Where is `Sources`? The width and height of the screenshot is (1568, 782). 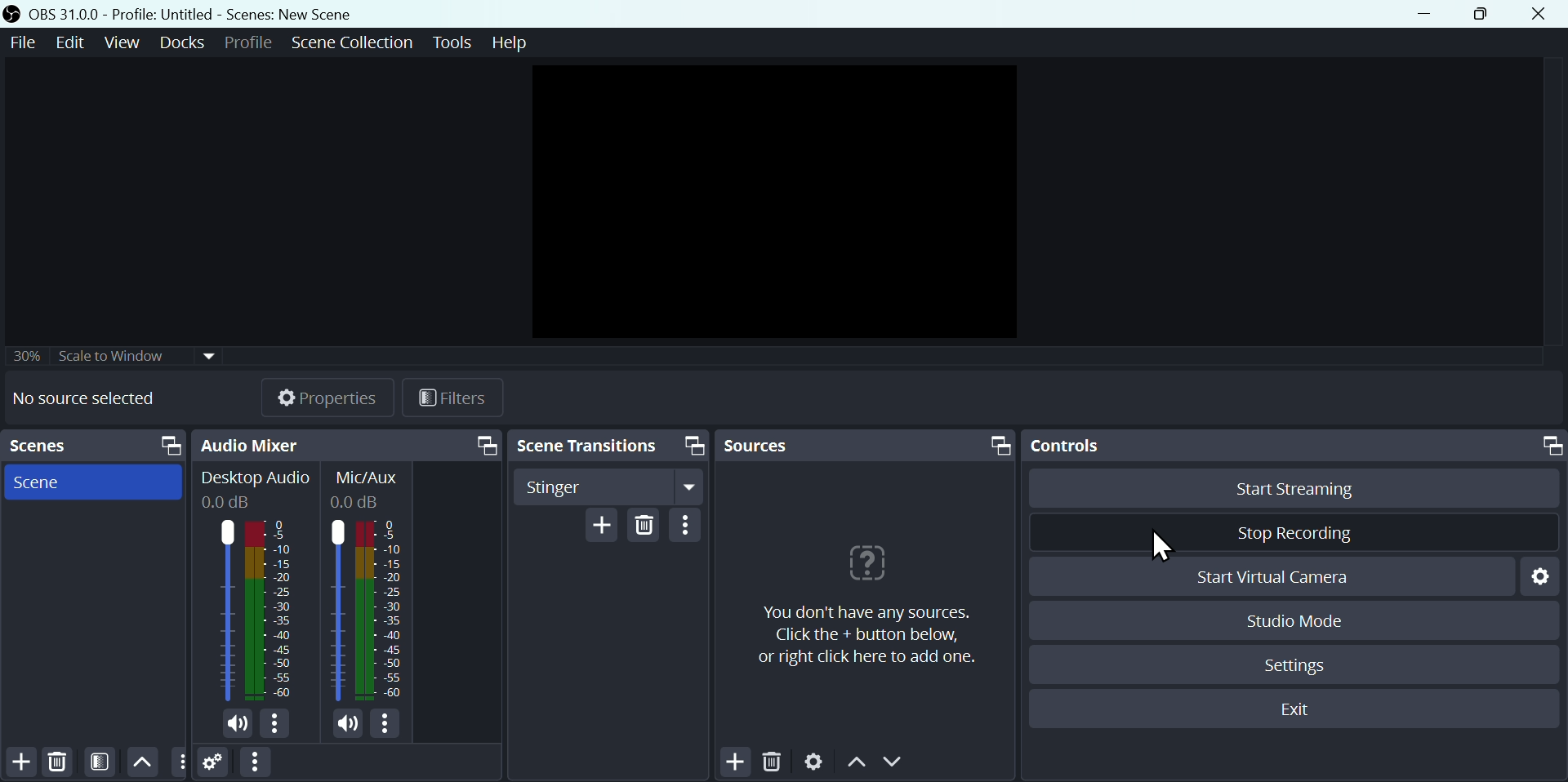
Sources is located at coordinates (769, 445).